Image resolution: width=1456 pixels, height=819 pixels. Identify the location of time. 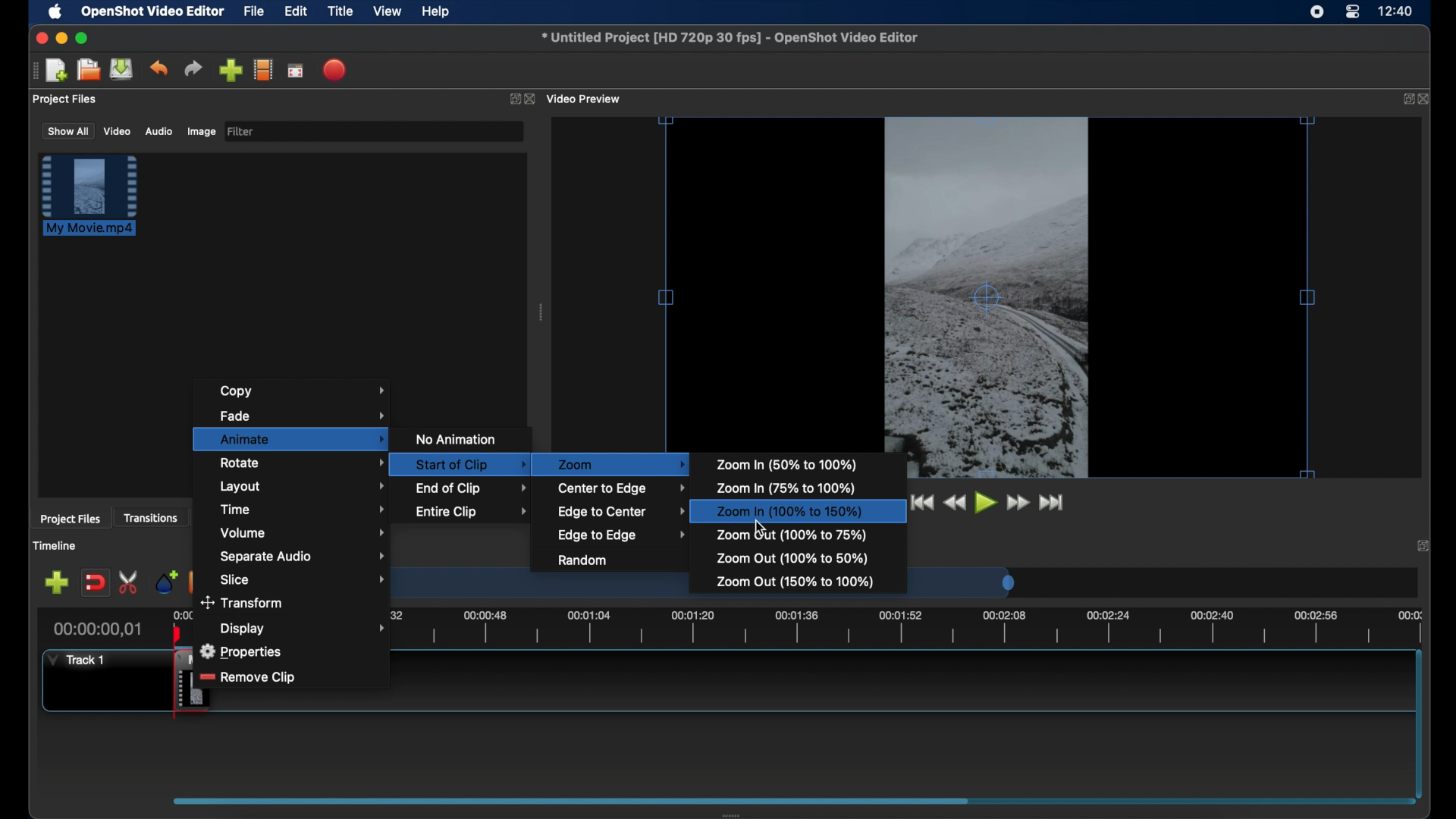
(1397, 12).